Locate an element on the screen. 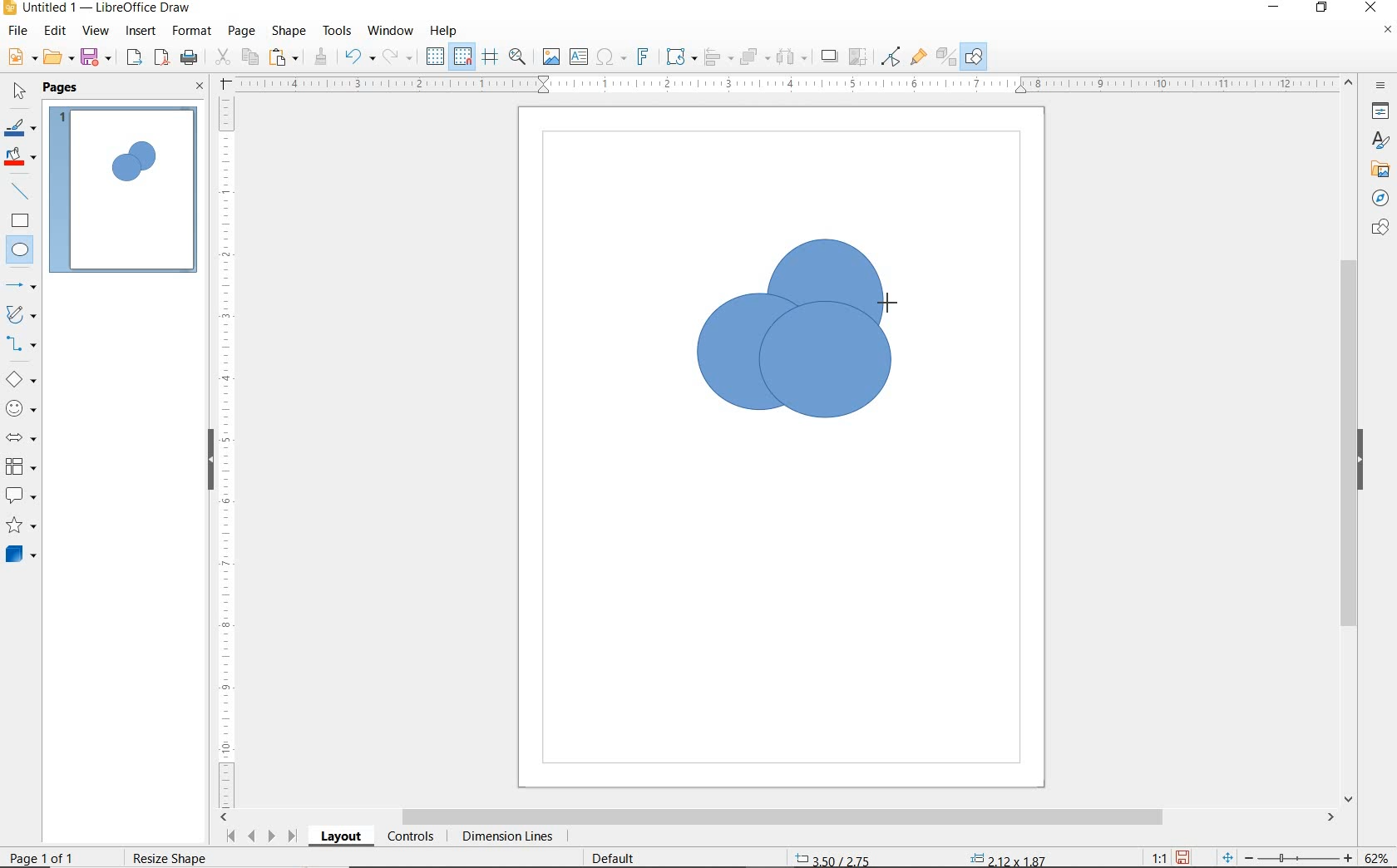  CUT is located at coordinates (223, 57).